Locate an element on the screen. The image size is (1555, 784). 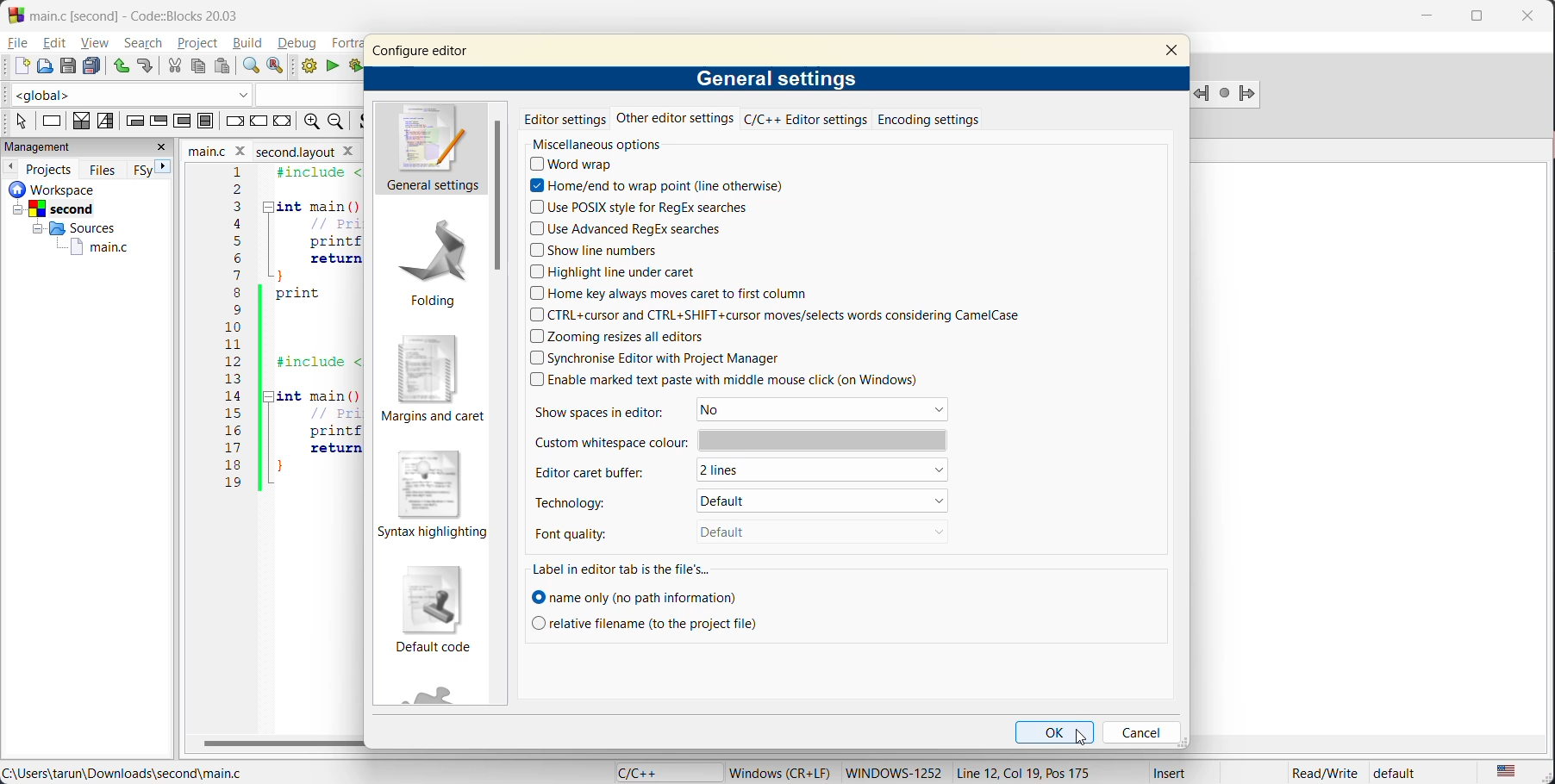
counting loop is located at coordinates (182, 122).